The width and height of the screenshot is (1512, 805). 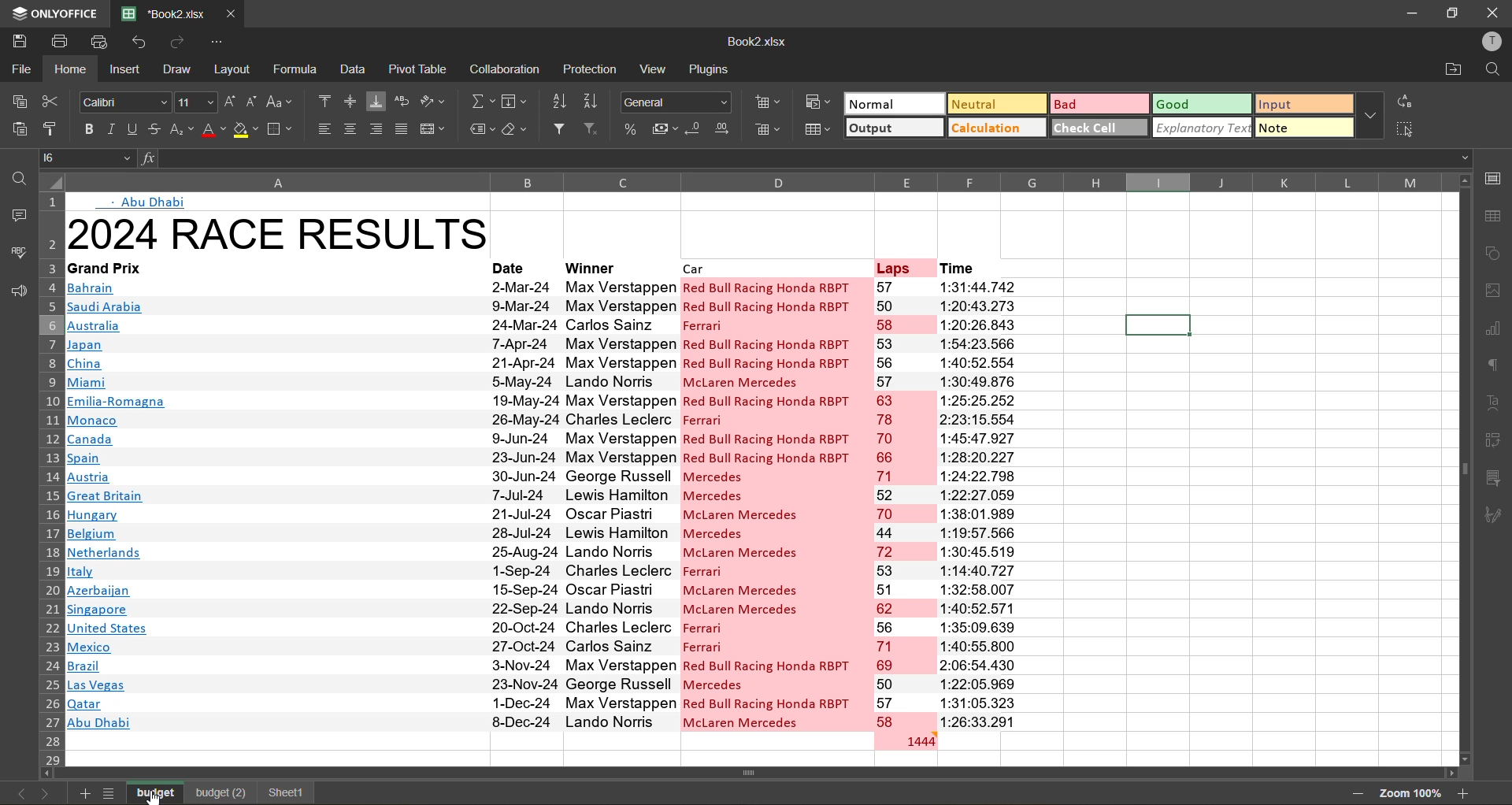 What do you see at coordinates (152, 798) in the screenshot?
I see `cursor` at bounding box center [152, 798].